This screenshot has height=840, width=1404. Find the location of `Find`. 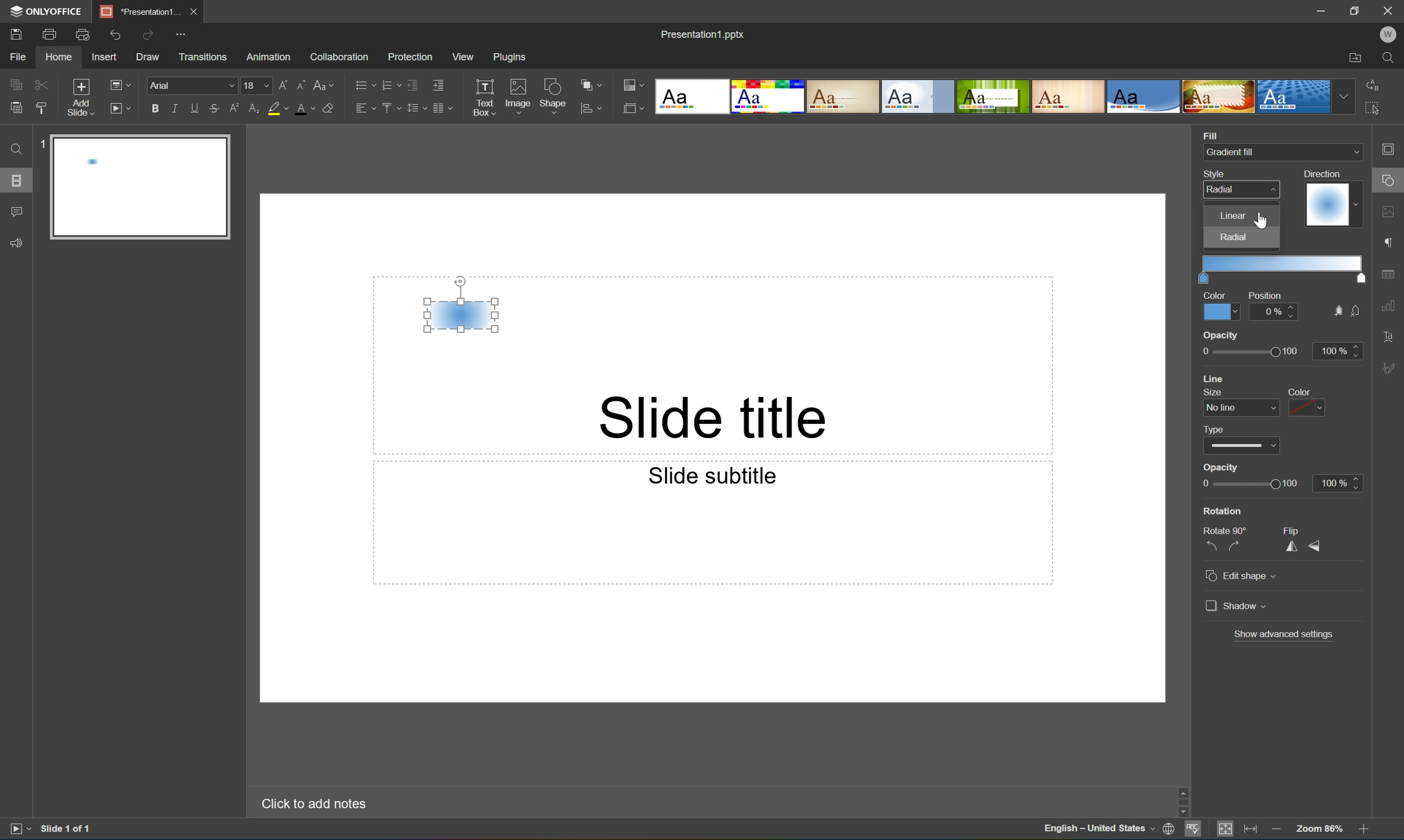

Find is located at coordinates (1393, 58).